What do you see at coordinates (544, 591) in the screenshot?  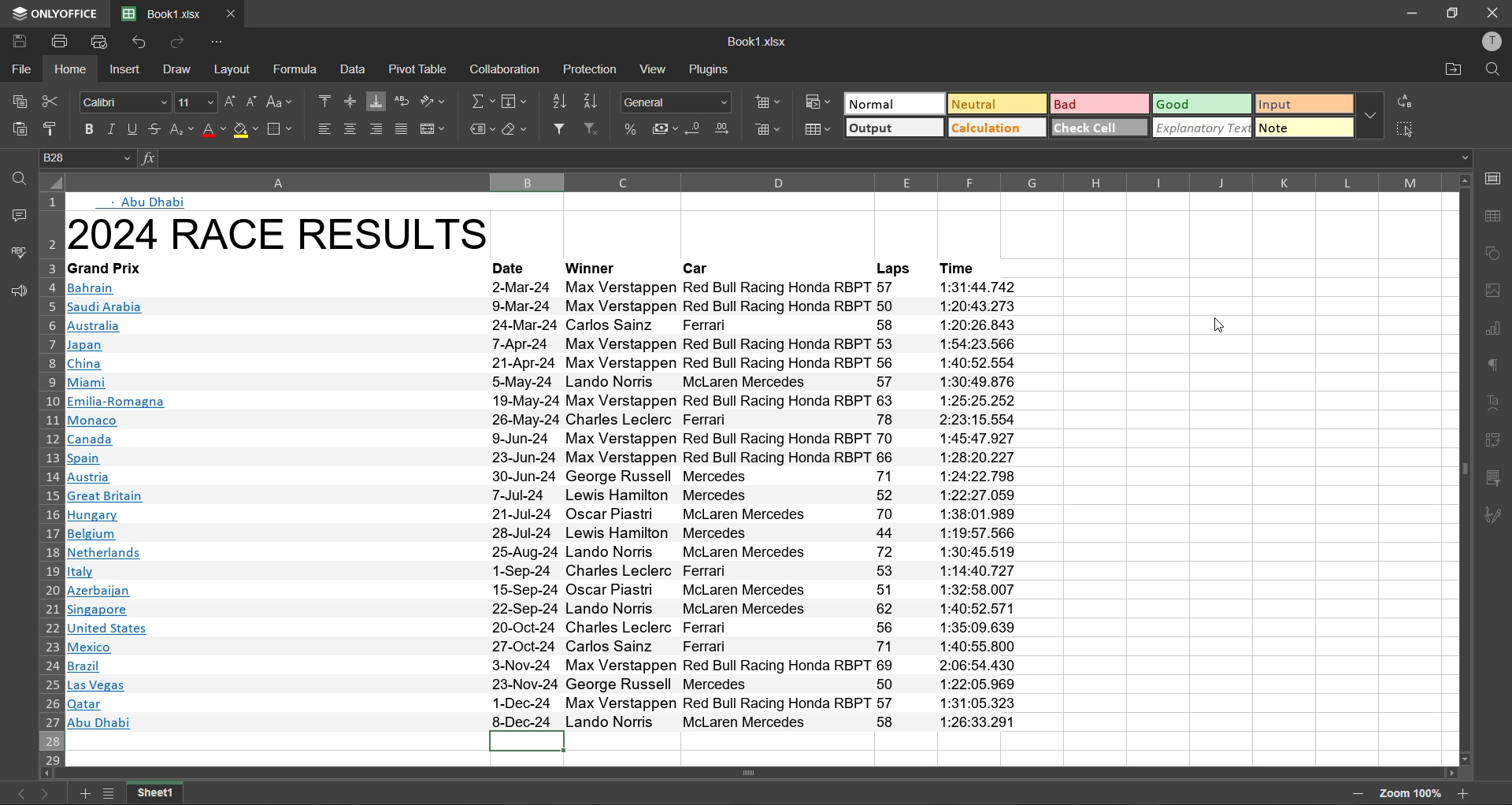 I see `Azerbaijan 19-Sep-24 Oscar rFiastn McLaren Mercedes 21 1:32:98.007` at bounding box center [544, 591].